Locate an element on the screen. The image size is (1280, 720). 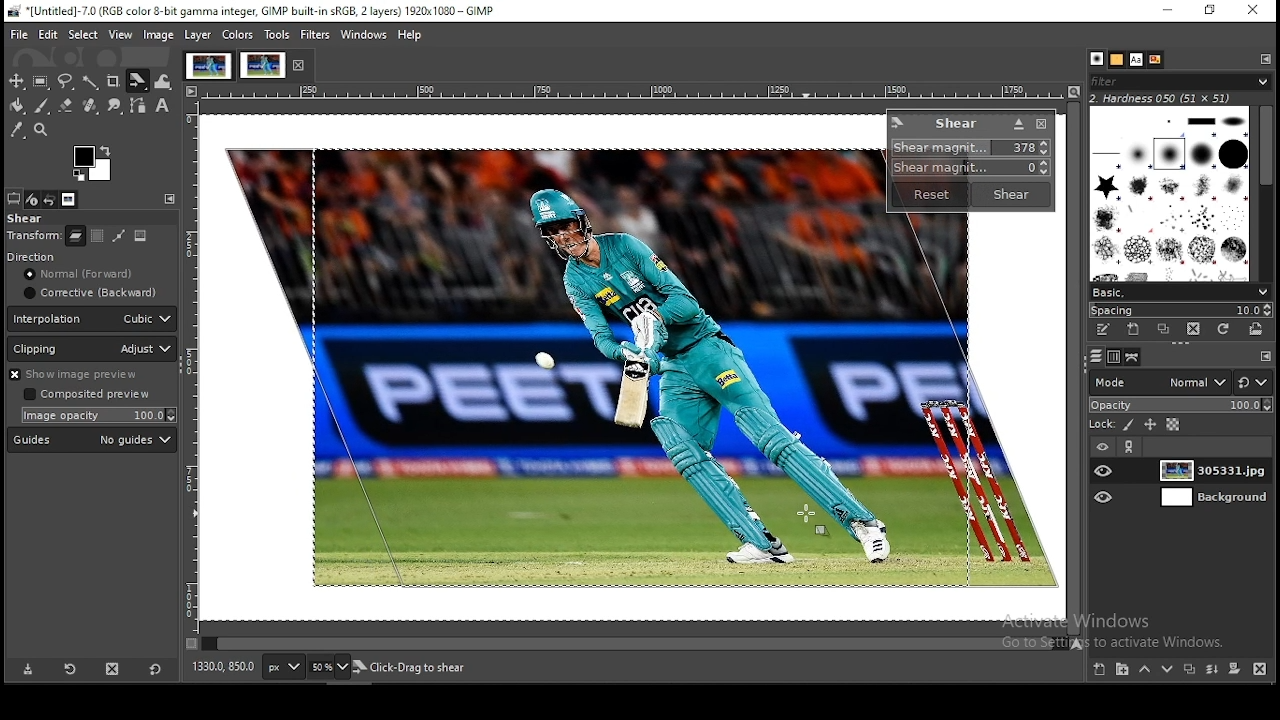
rectangular selection tool is located at coordinates (41, 82).